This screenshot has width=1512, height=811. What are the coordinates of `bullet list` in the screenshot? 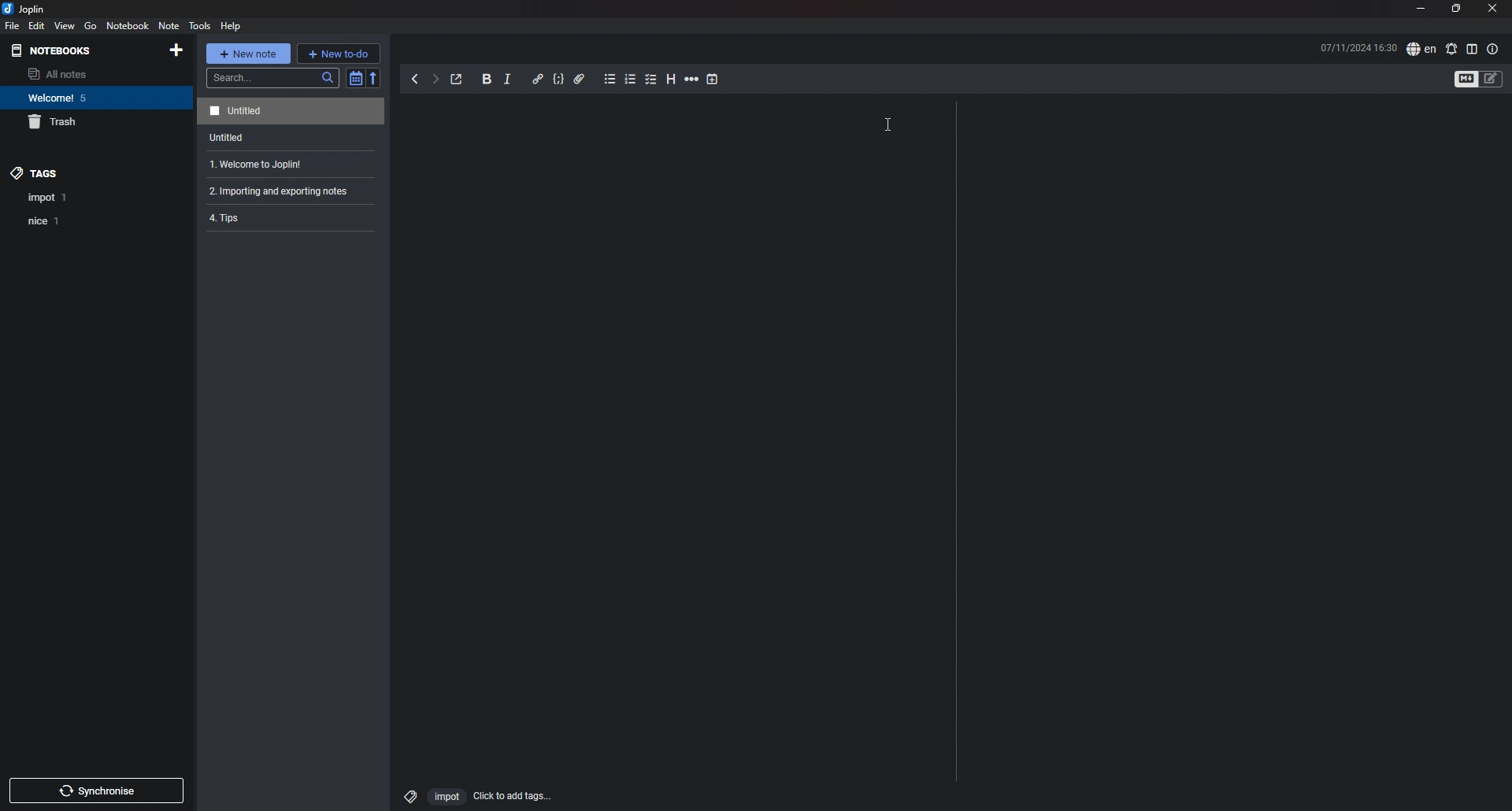 It's located at (610, 80).